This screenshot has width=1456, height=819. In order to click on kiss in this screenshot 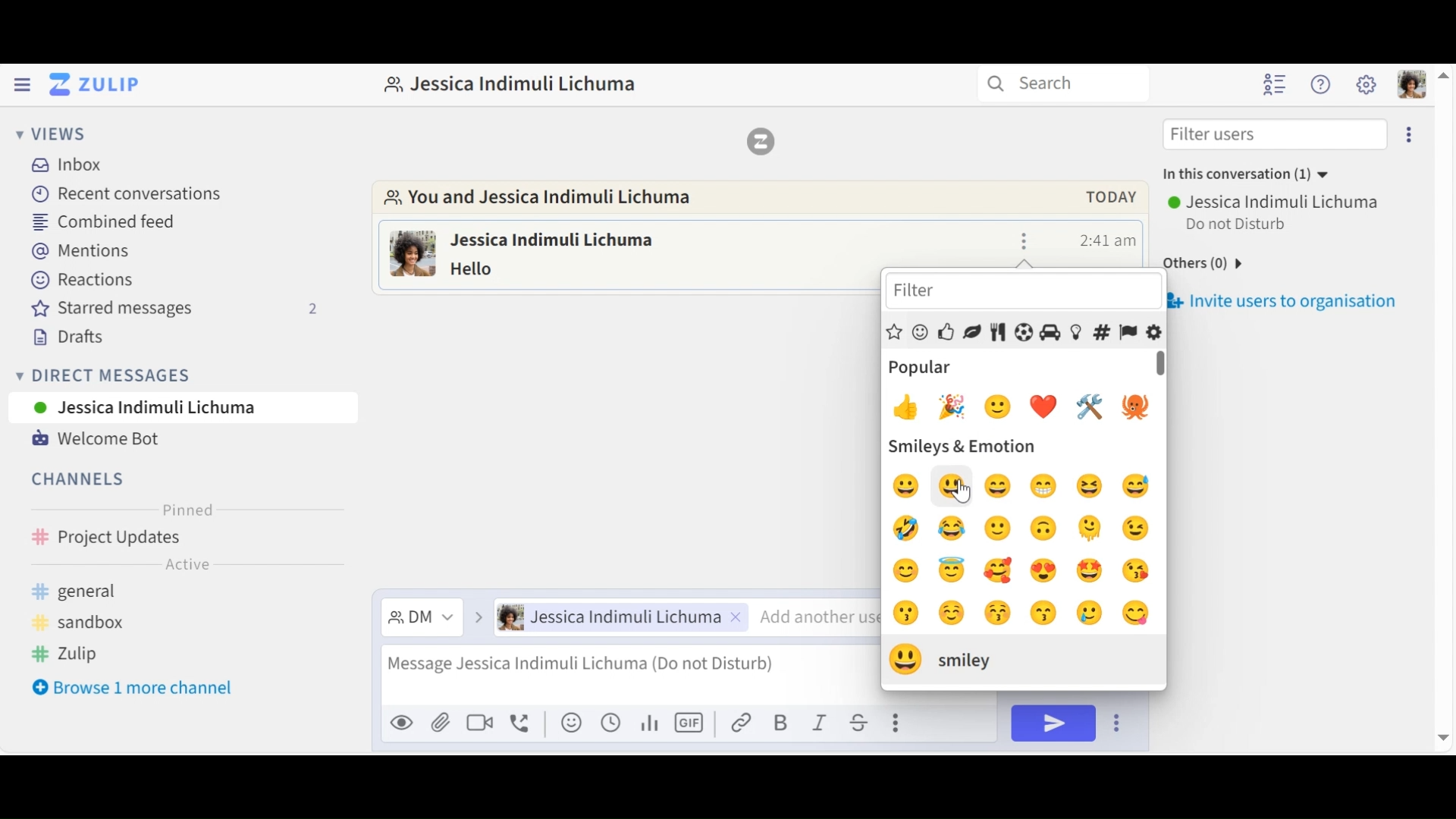, I will do `click(1137, 572)`.